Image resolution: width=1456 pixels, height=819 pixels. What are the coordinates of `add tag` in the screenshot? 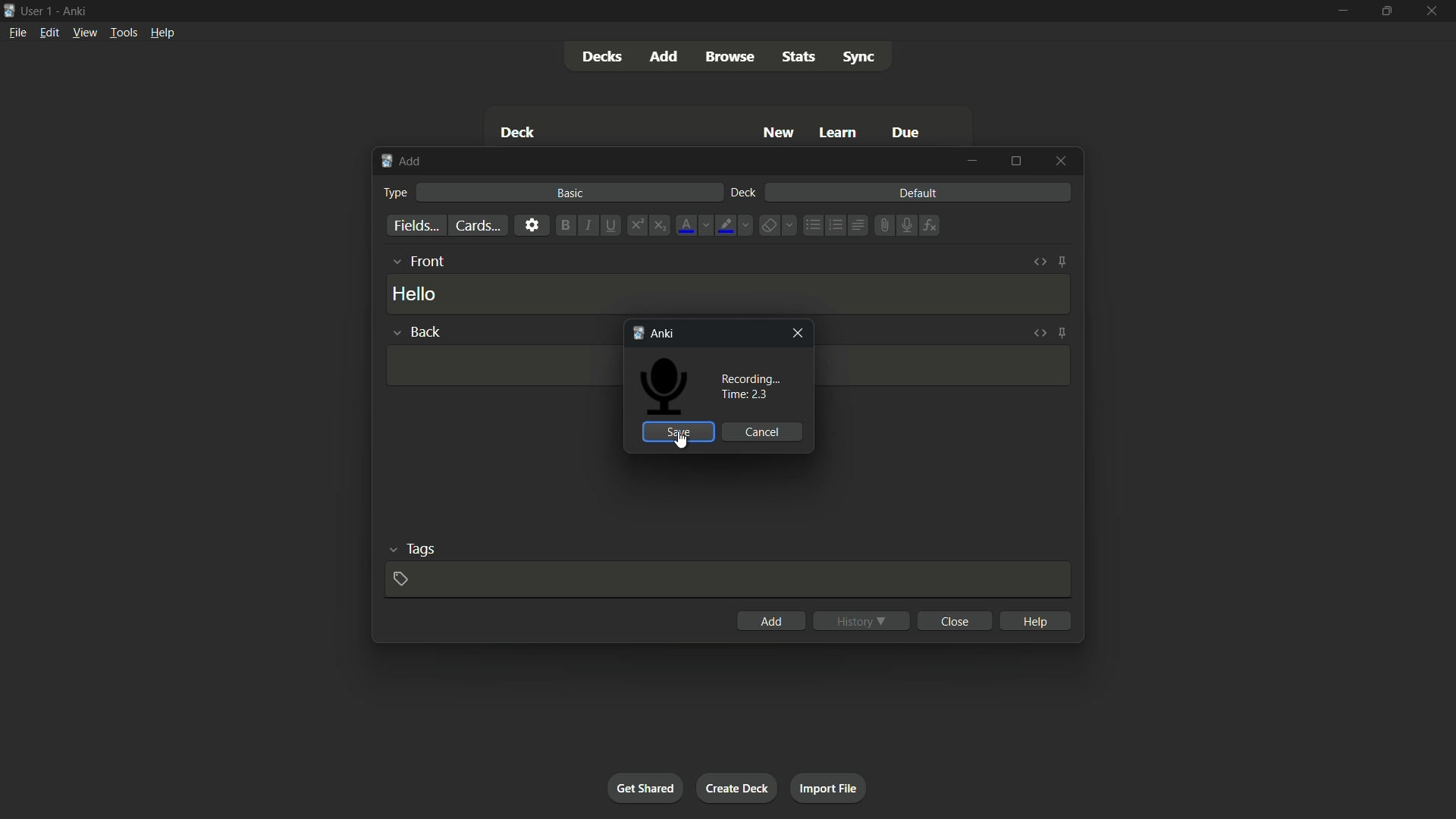 It's located at (400, 579).